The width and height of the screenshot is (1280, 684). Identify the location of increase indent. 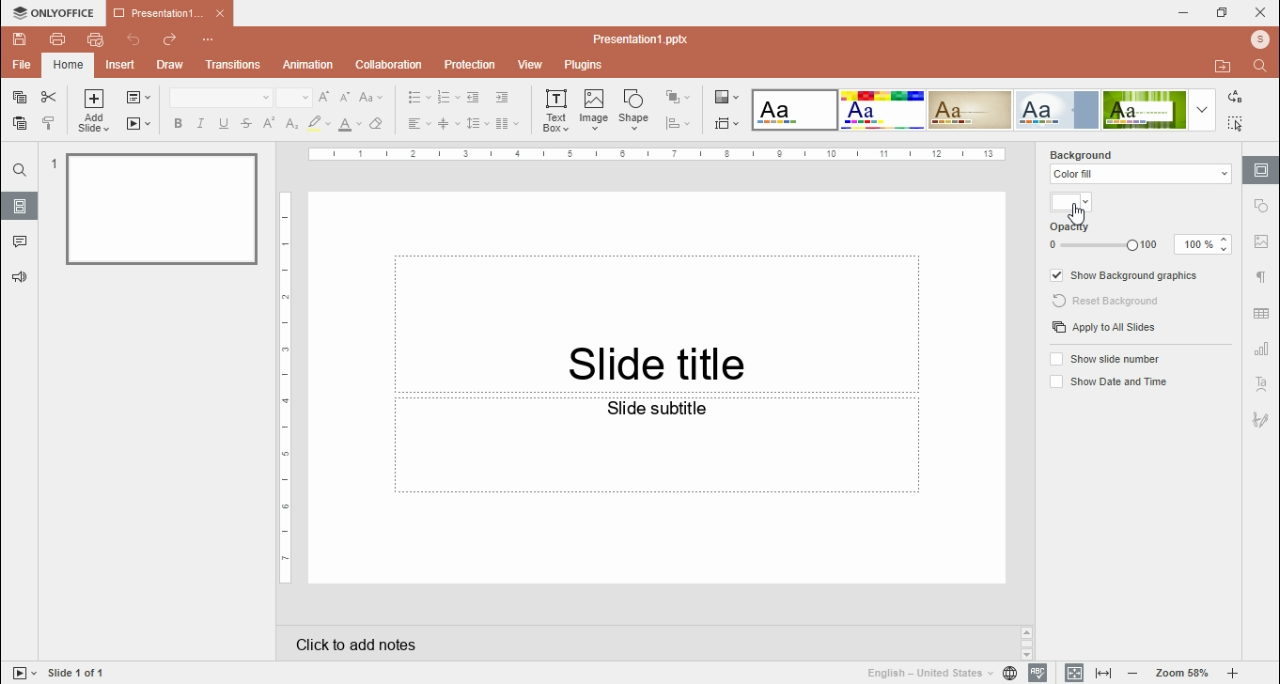
(501, 98).